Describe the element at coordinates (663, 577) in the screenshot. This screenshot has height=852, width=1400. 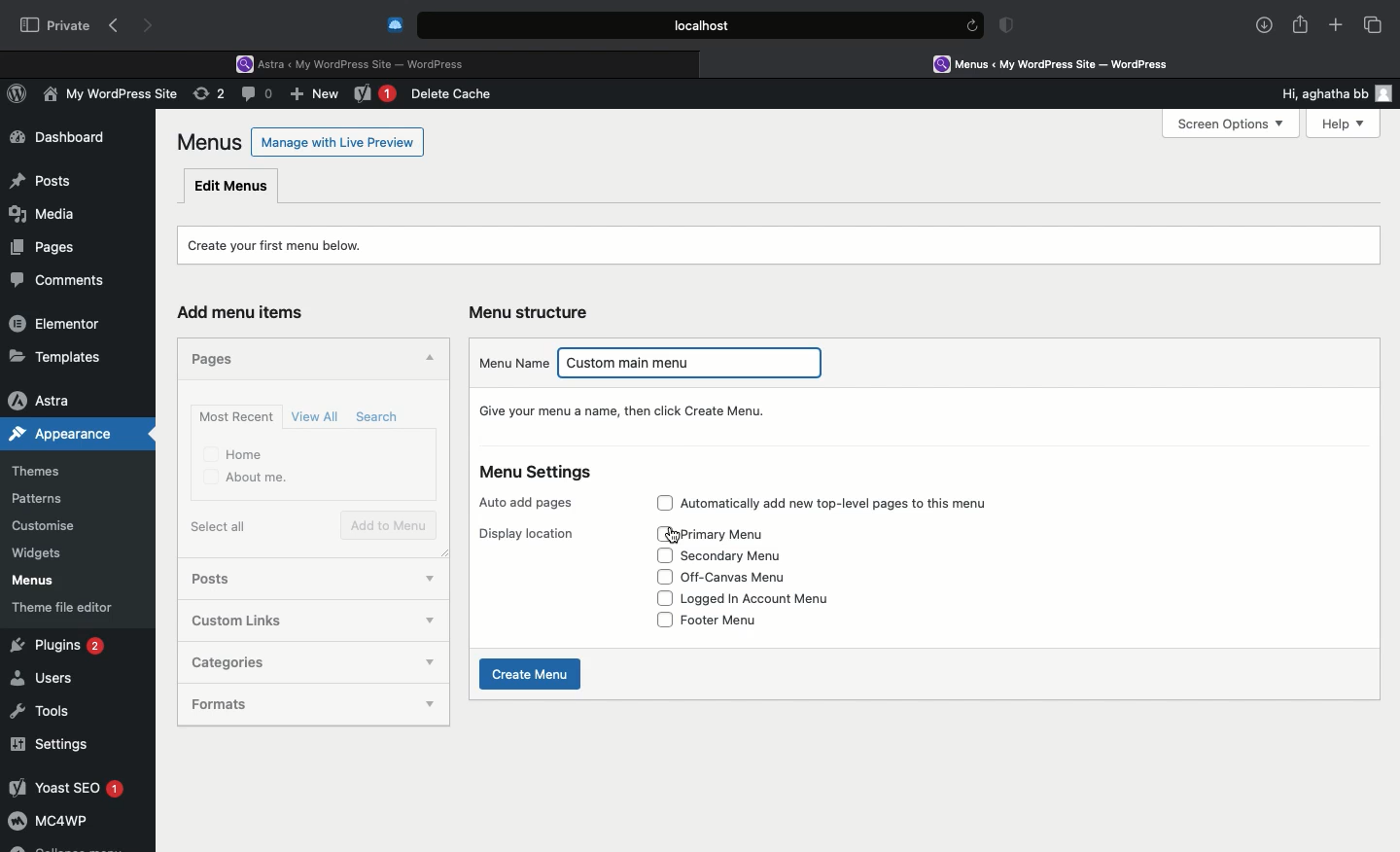
I see `Check box` at that location.